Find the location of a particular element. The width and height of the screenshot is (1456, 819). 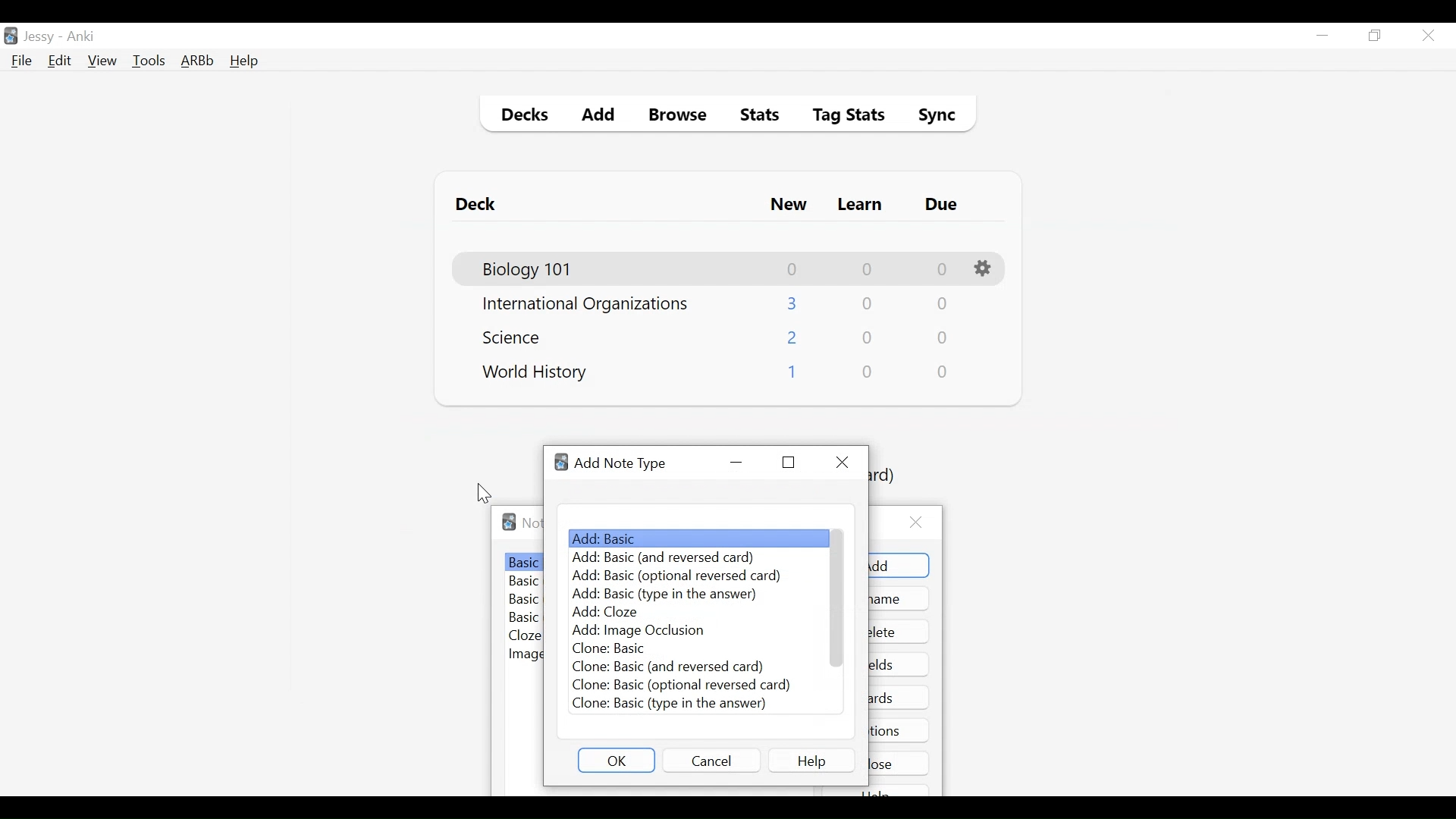

Cancel is located at coordinates (711, 760).